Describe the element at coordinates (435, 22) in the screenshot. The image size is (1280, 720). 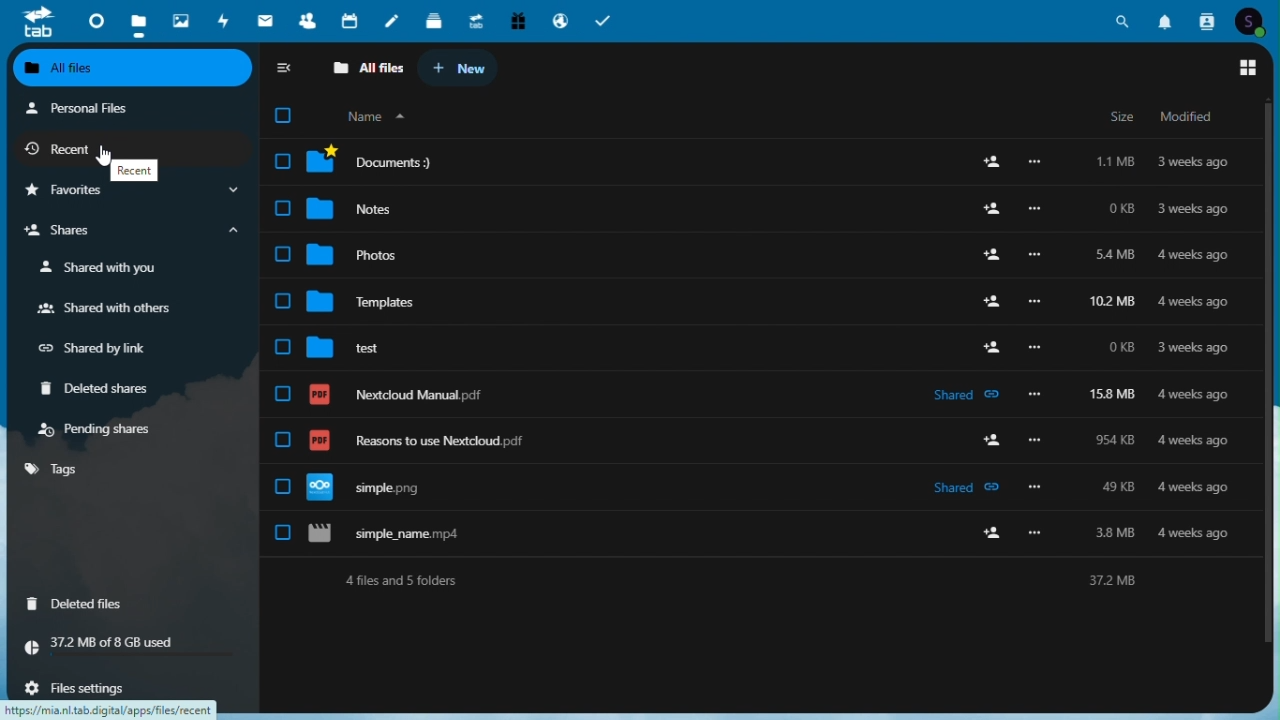
I see `deck` at that location.